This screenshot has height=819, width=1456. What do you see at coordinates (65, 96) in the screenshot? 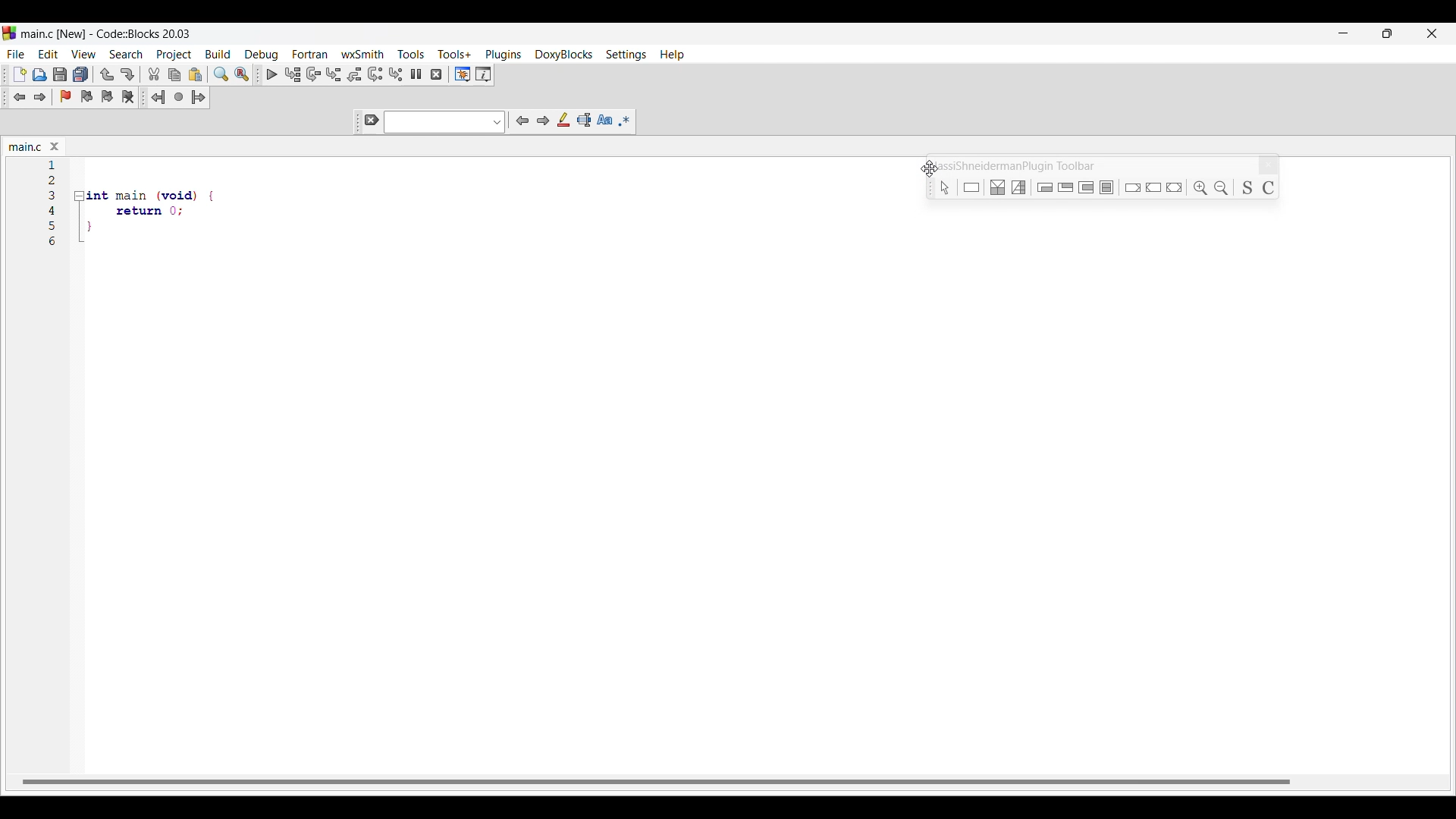
I see `Toggle bookmark` at bounding box center [65, 96].